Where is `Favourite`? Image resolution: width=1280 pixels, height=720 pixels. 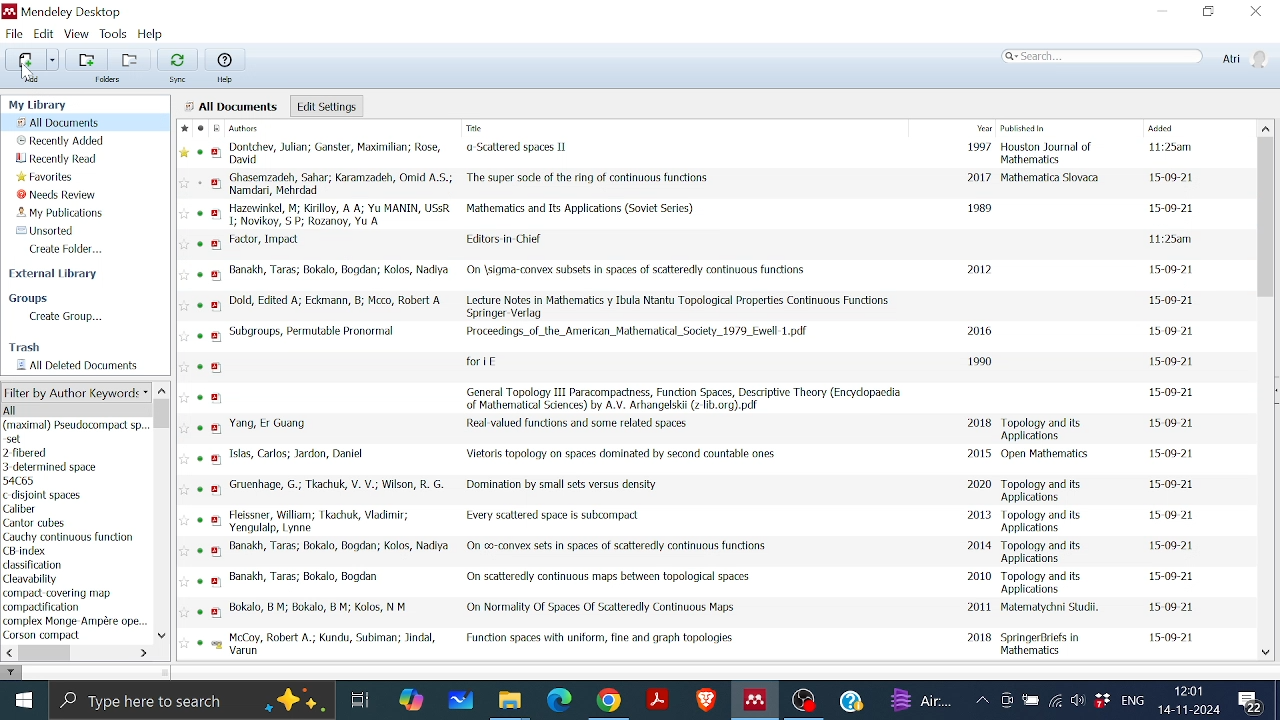
Favourite is located at coordinates (183, 154).